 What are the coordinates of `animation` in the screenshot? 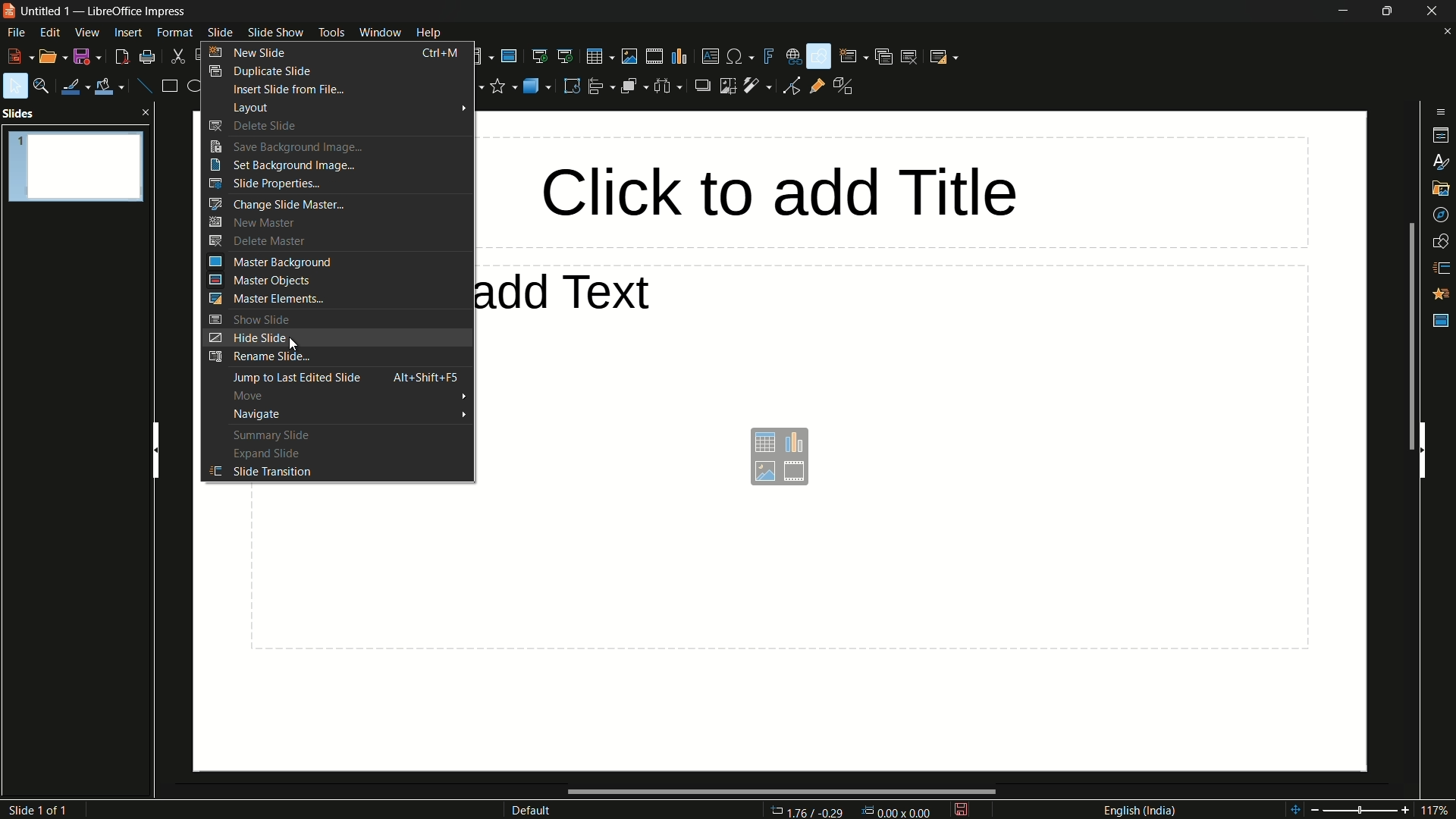 It's located at (1441, 294).